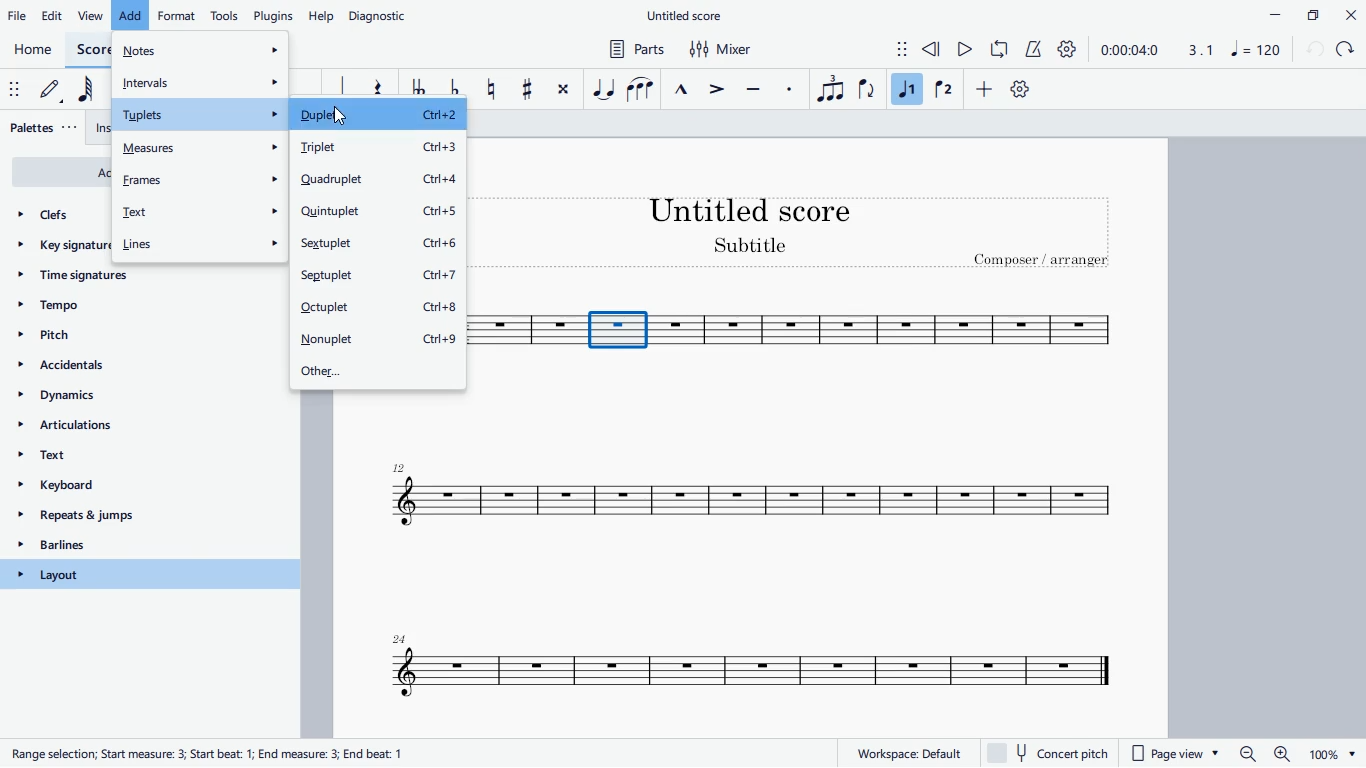 This screenshot has width=1366, height=768. What do you see at coordinates (200, 179) in the screenshot?
I see `frames` at bounding box center [200, 179].